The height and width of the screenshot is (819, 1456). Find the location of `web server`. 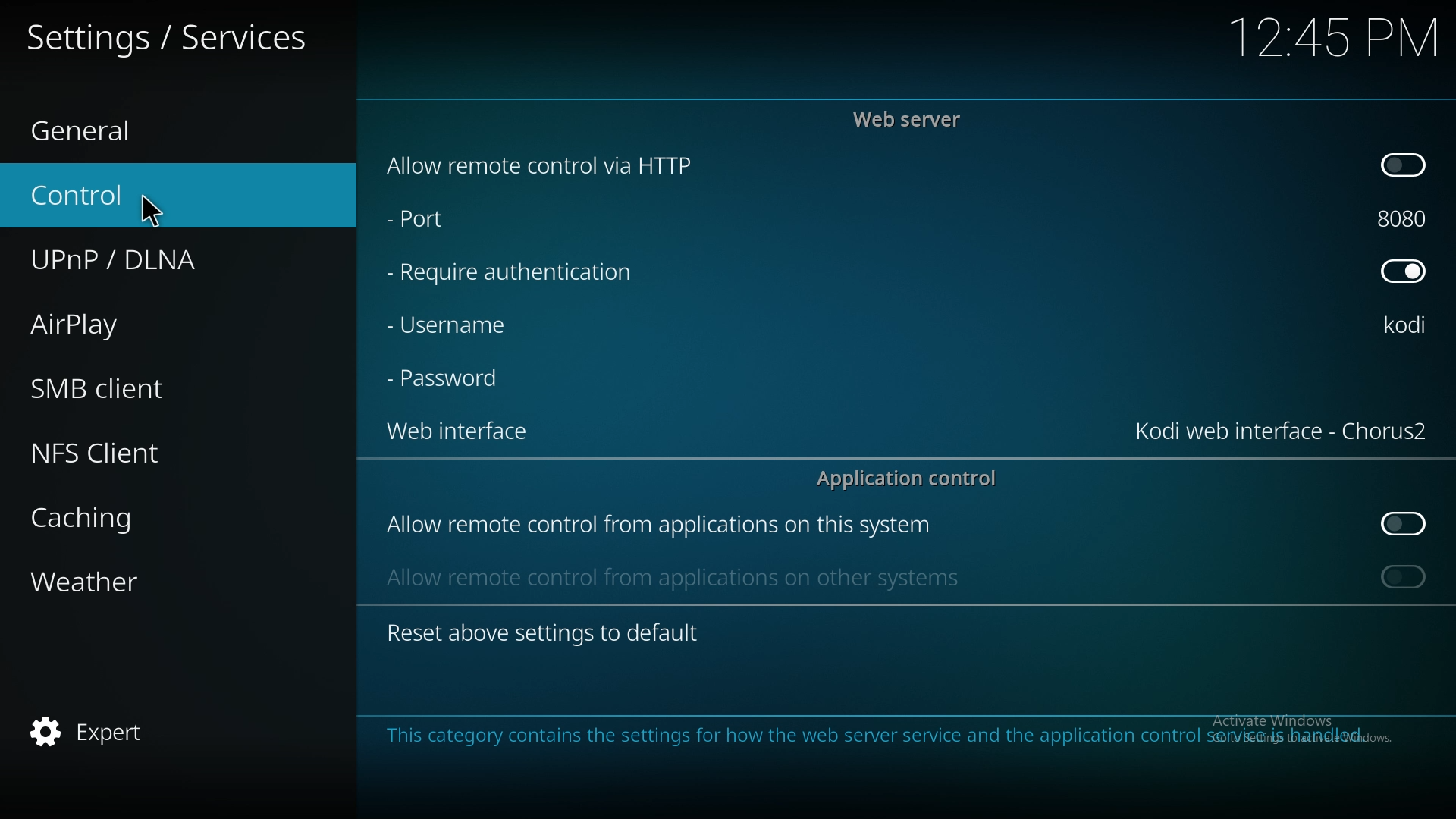

web server is located at coordinates (912, 119).